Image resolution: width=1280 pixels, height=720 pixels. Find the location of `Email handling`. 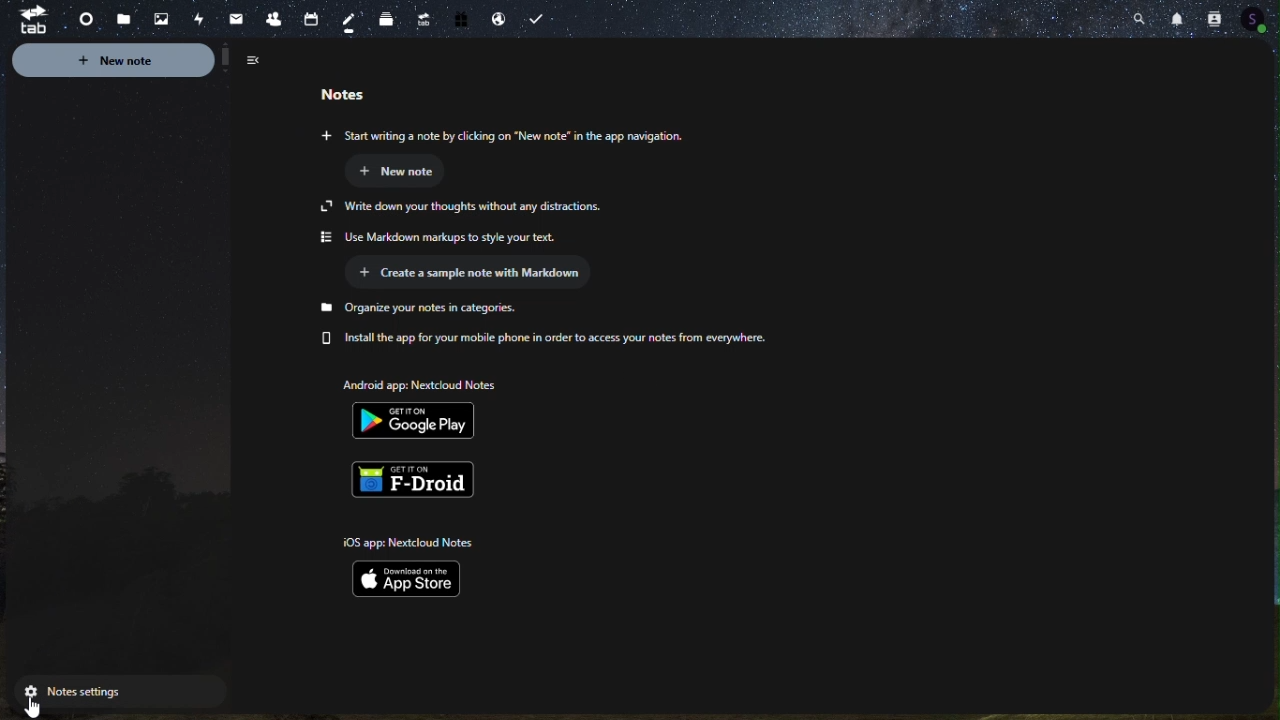

Email handling is located at coordinates (497, 21).